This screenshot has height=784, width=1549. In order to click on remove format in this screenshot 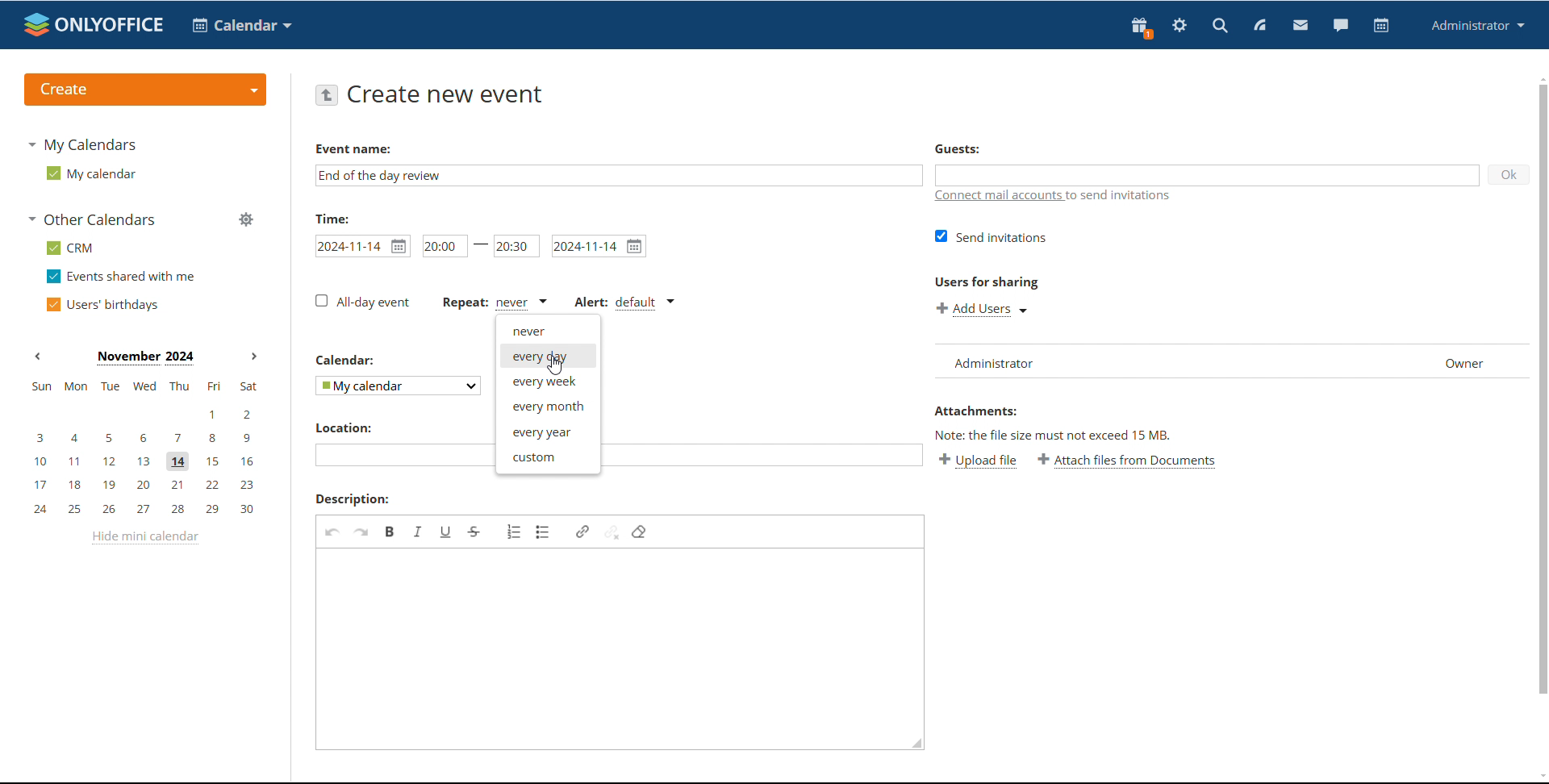, I will do `click(639, 532)`.